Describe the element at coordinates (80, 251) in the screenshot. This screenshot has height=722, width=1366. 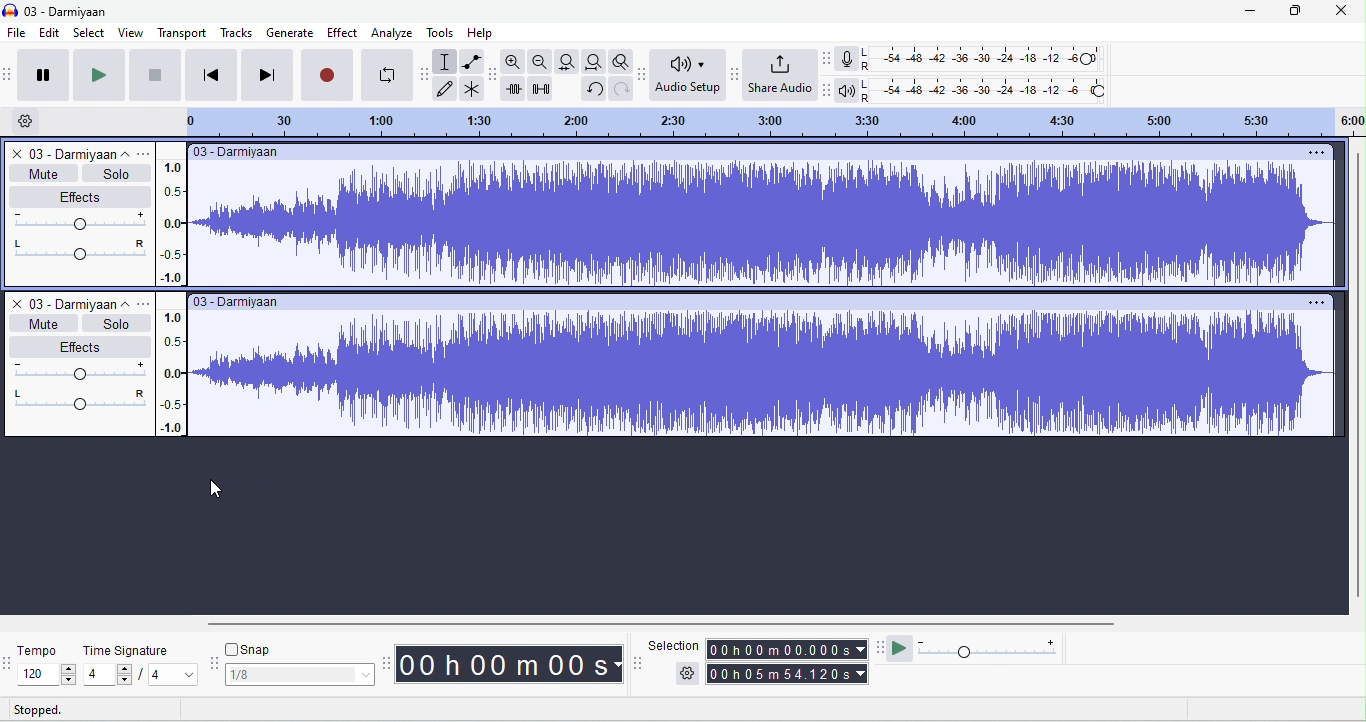
I see `pan` at that location.